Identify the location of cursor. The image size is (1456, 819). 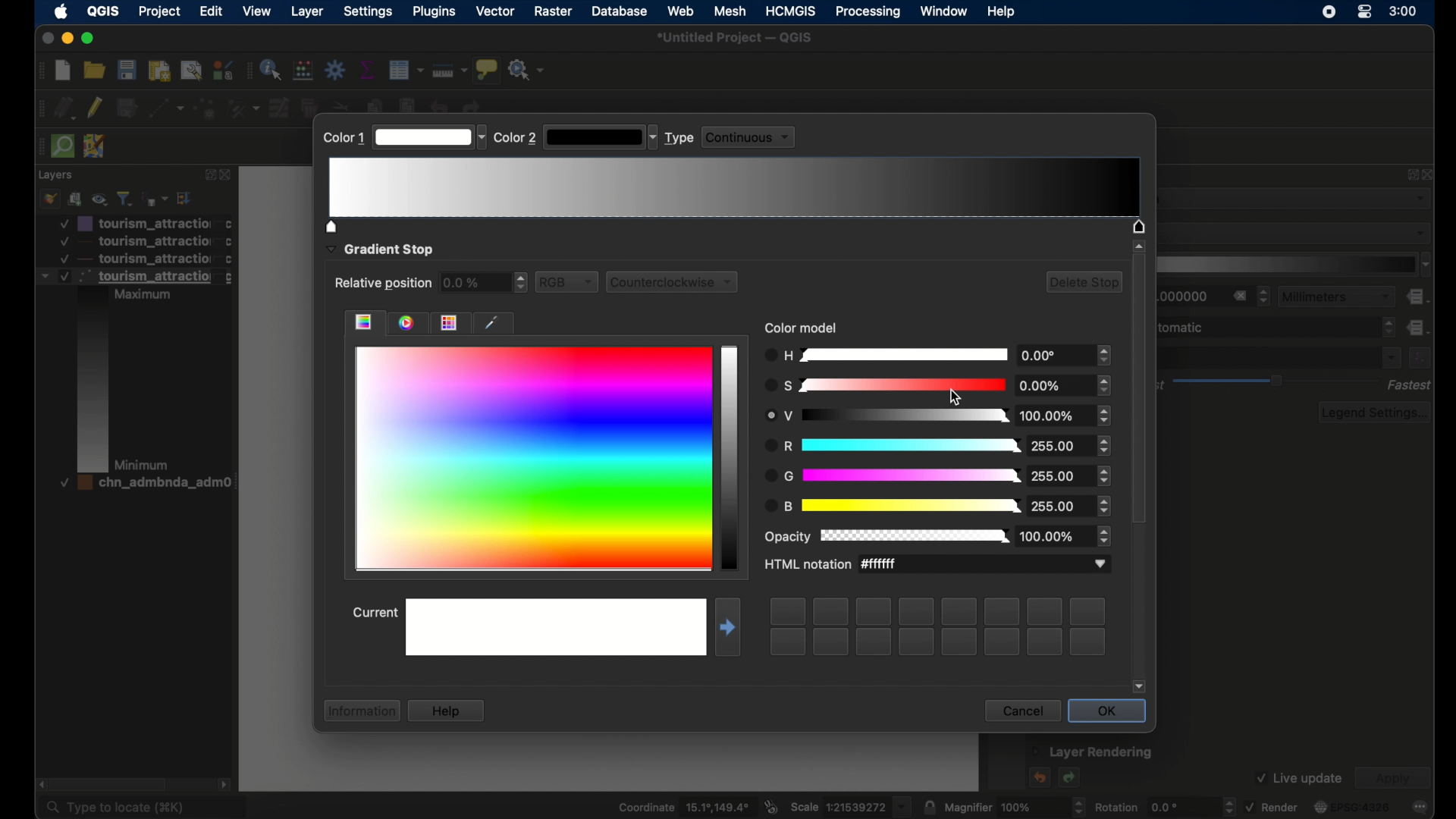
(950, 396).